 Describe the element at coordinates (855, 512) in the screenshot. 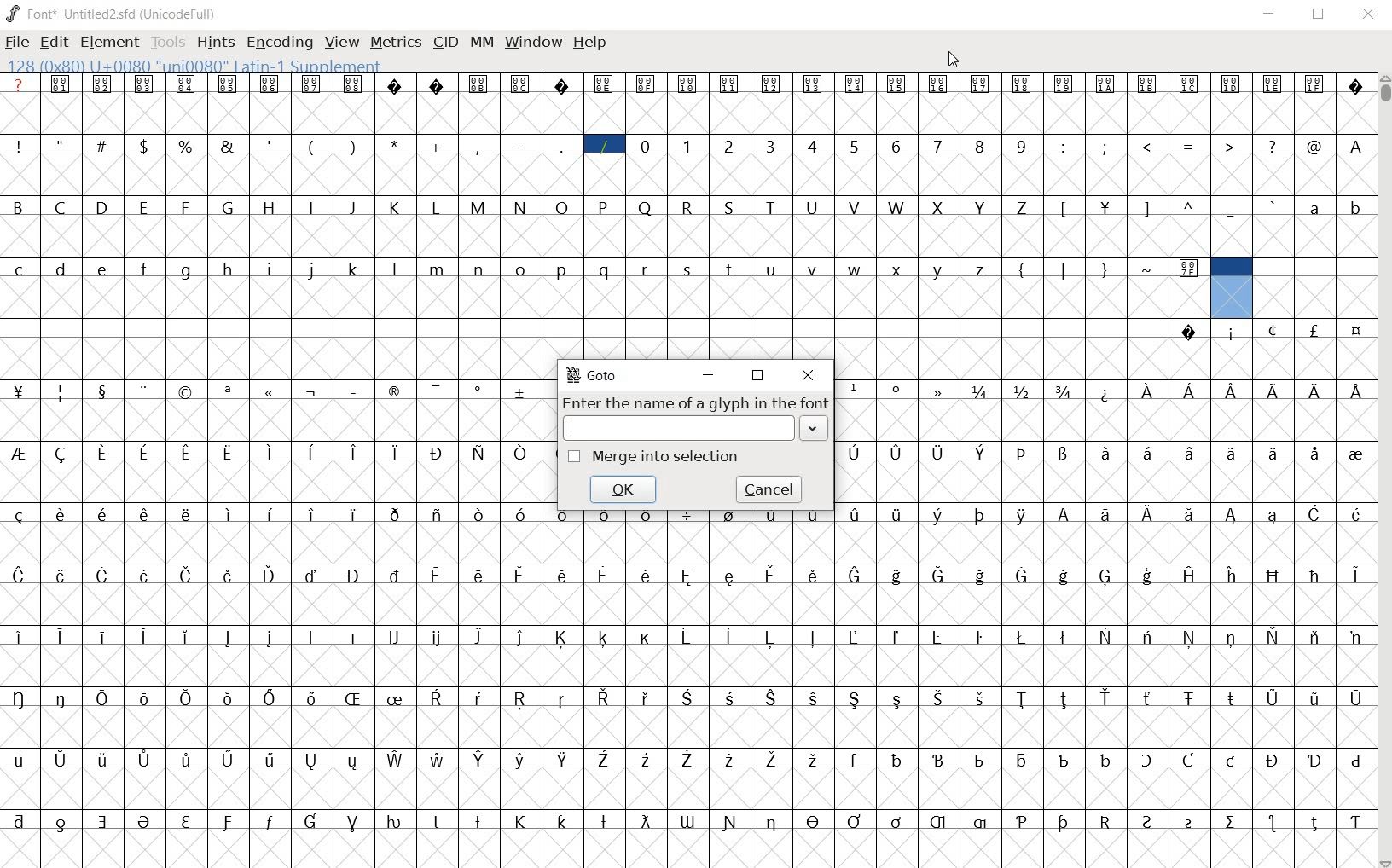

I see `Symbol` at that location.